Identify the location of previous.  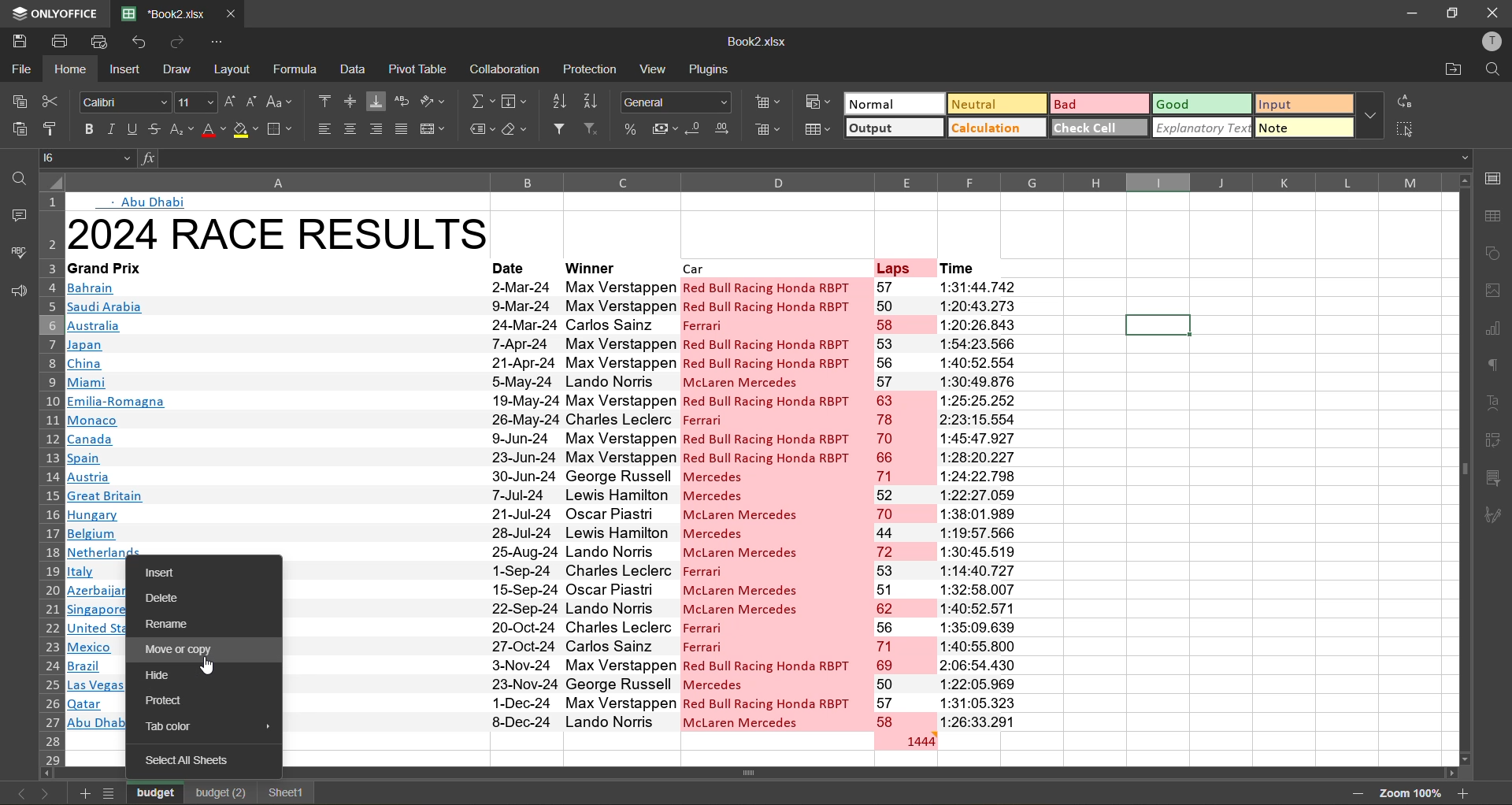
(16, 793).